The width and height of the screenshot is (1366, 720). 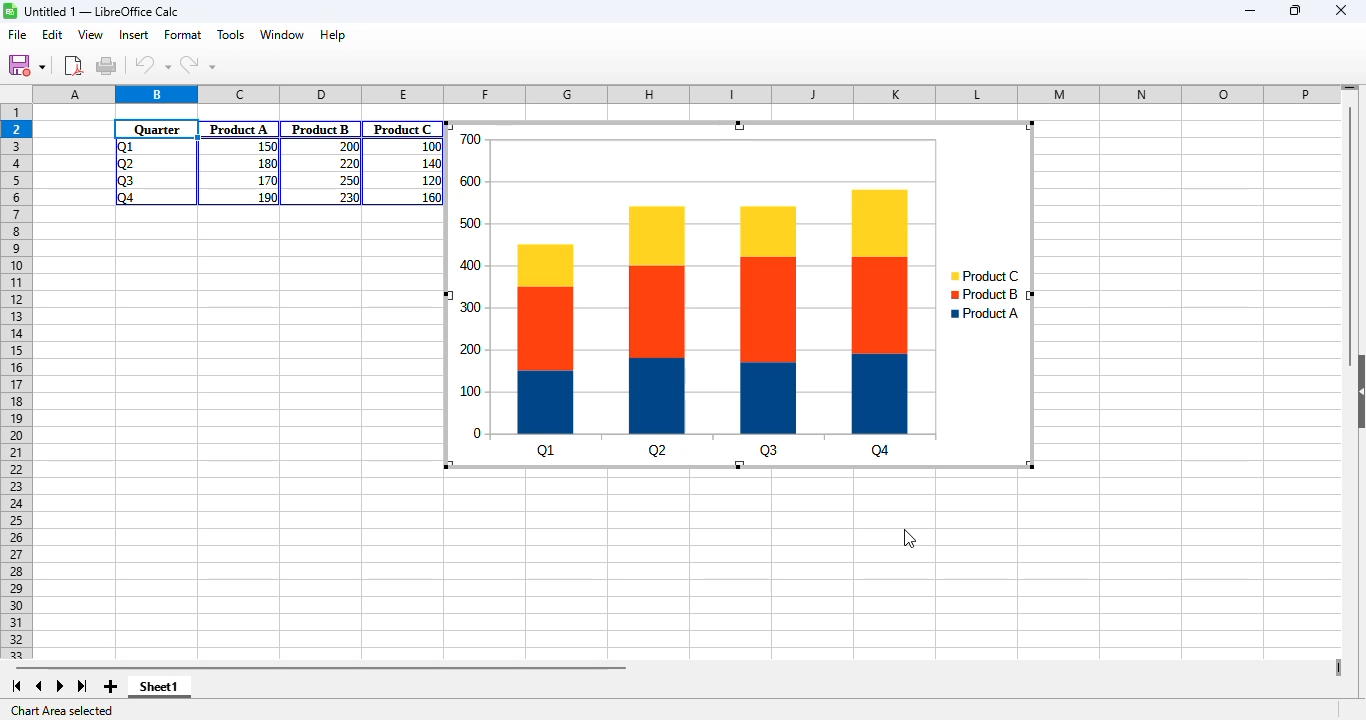 What do you see at coordinates (1297, 11) in the screenshot?
I see `maximize` at bounding box center [1297, 11].